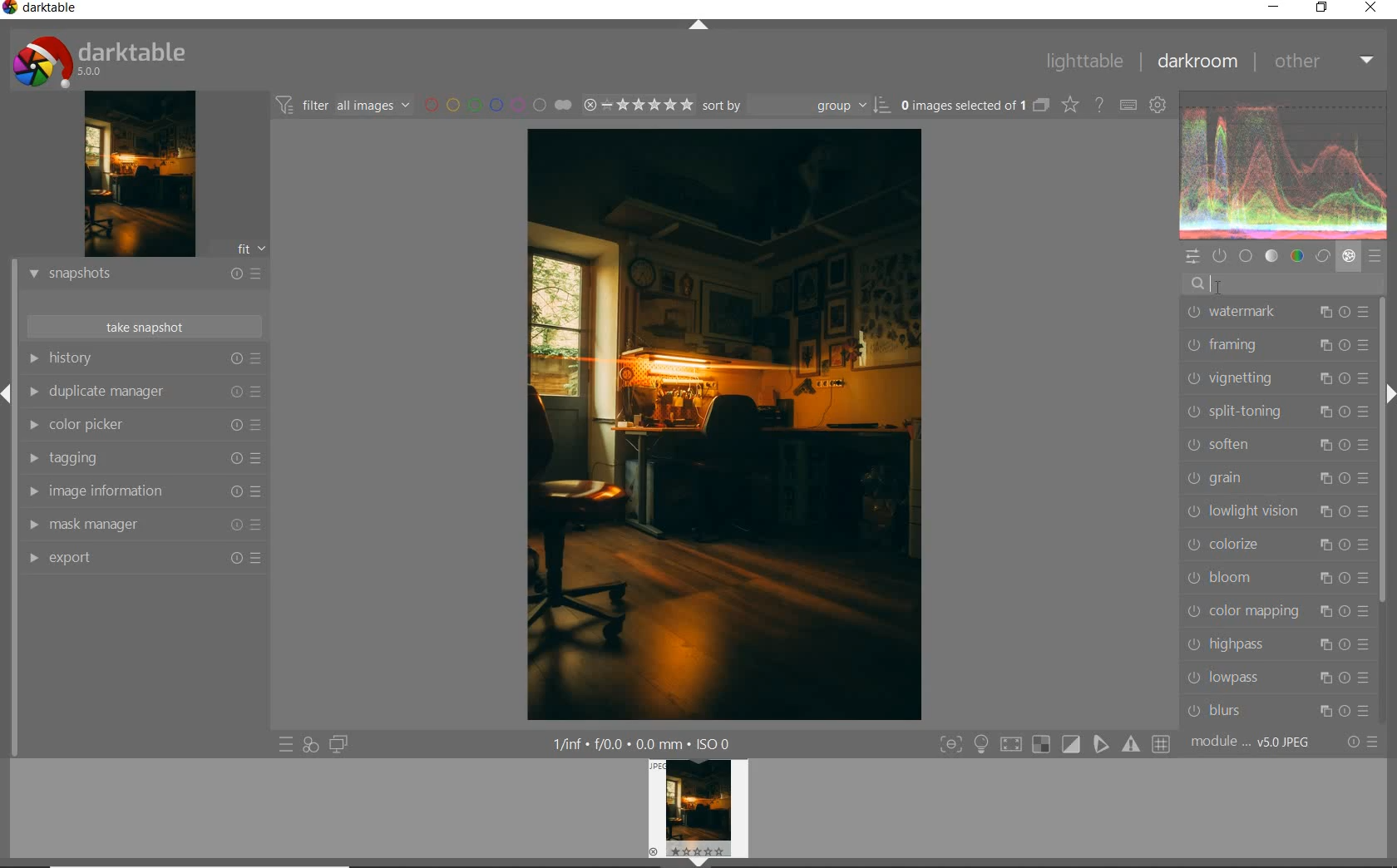 The width and height of the screenshot is (1397, 868). I want to click on tone, so click(1272, 255).